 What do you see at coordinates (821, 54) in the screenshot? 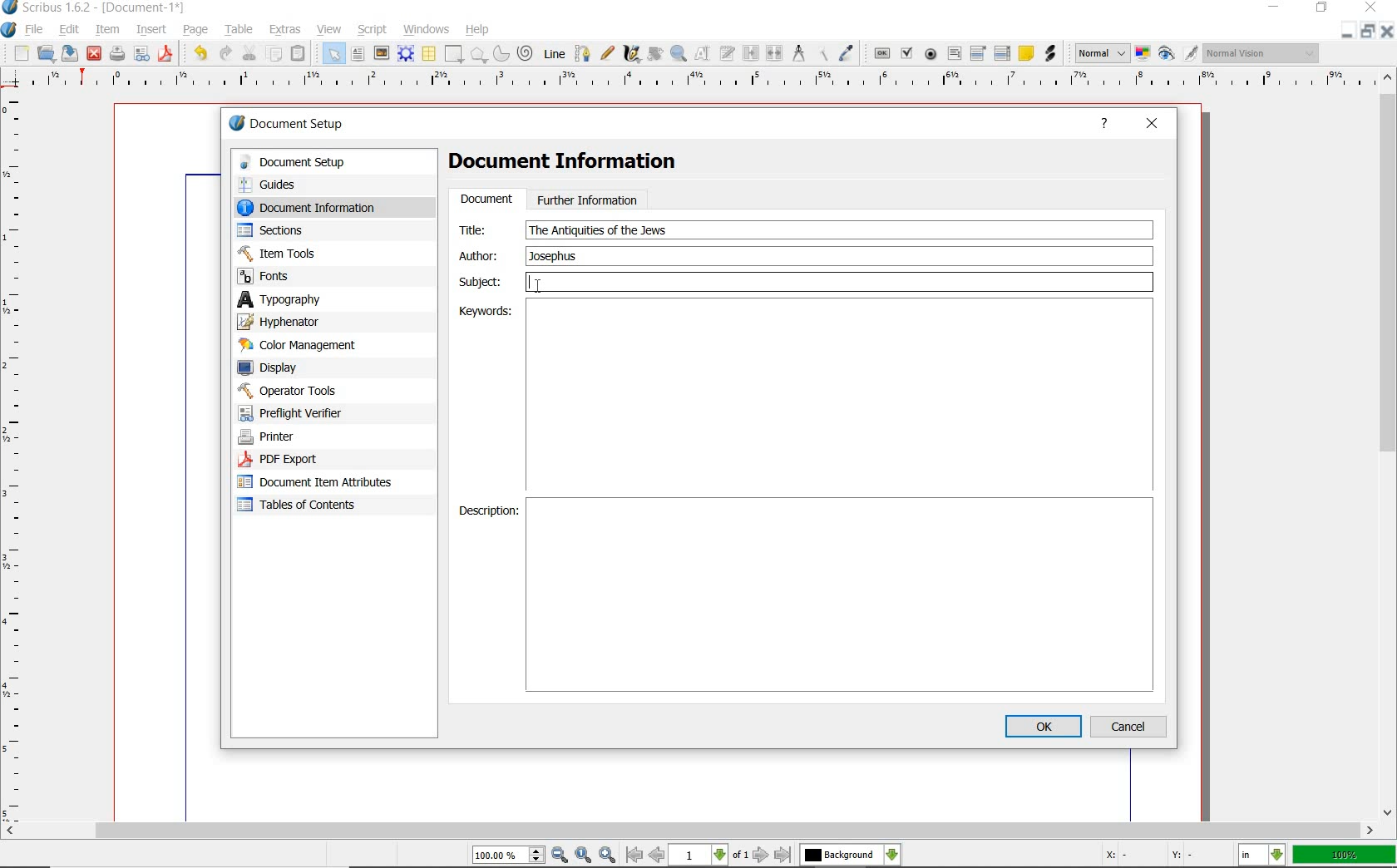
I see `copy item properties` at bounding box center [821, 54].